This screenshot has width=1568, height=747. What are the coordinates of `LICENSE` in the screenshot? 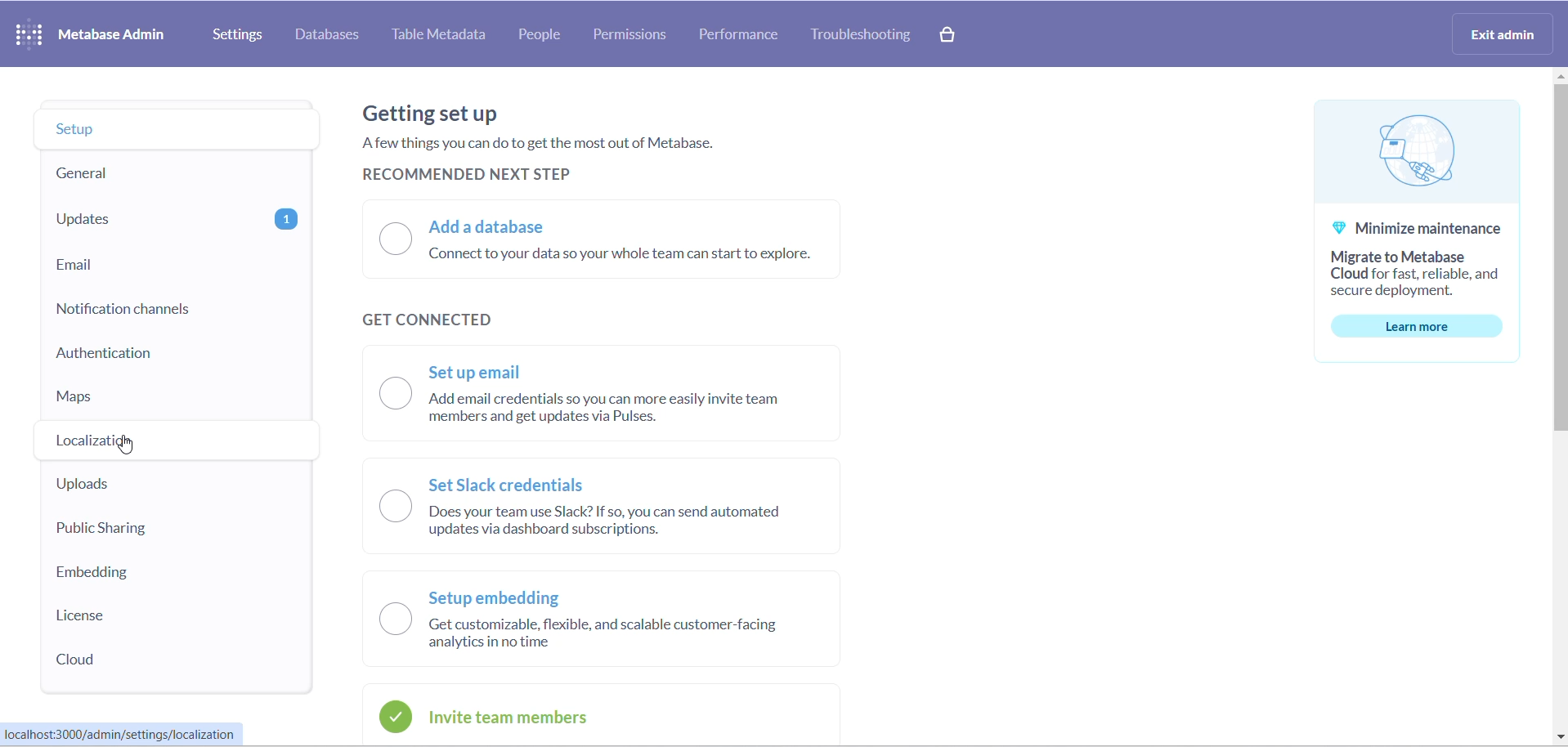 It's located at (141, 617).